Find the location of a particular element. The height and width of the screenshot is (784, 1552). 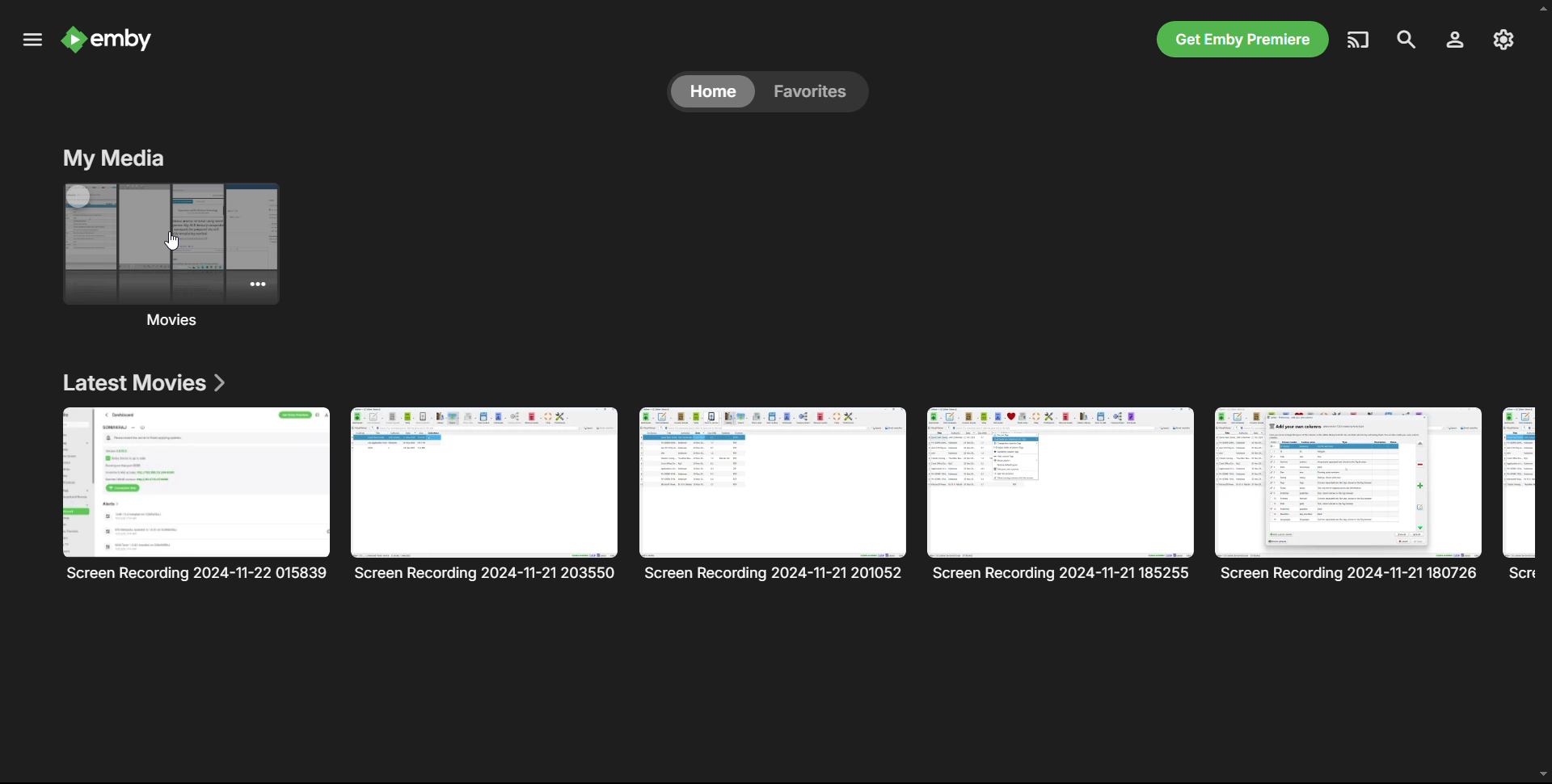

cursor is located at coordinates (177, 239).